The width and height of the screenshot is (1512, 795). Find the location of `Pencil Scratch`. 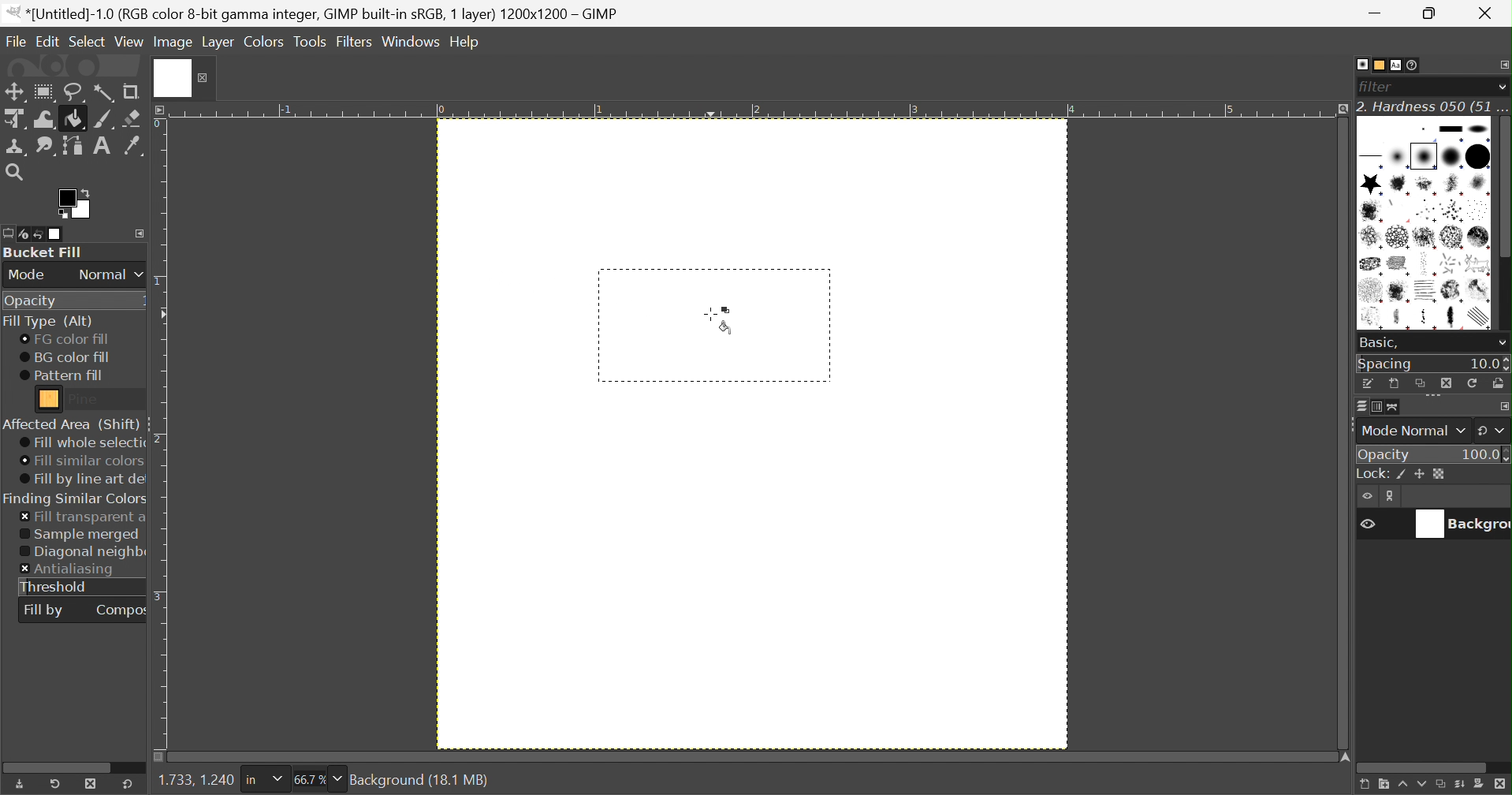

Pencil Scratch is located at coordinates (1481, 318).